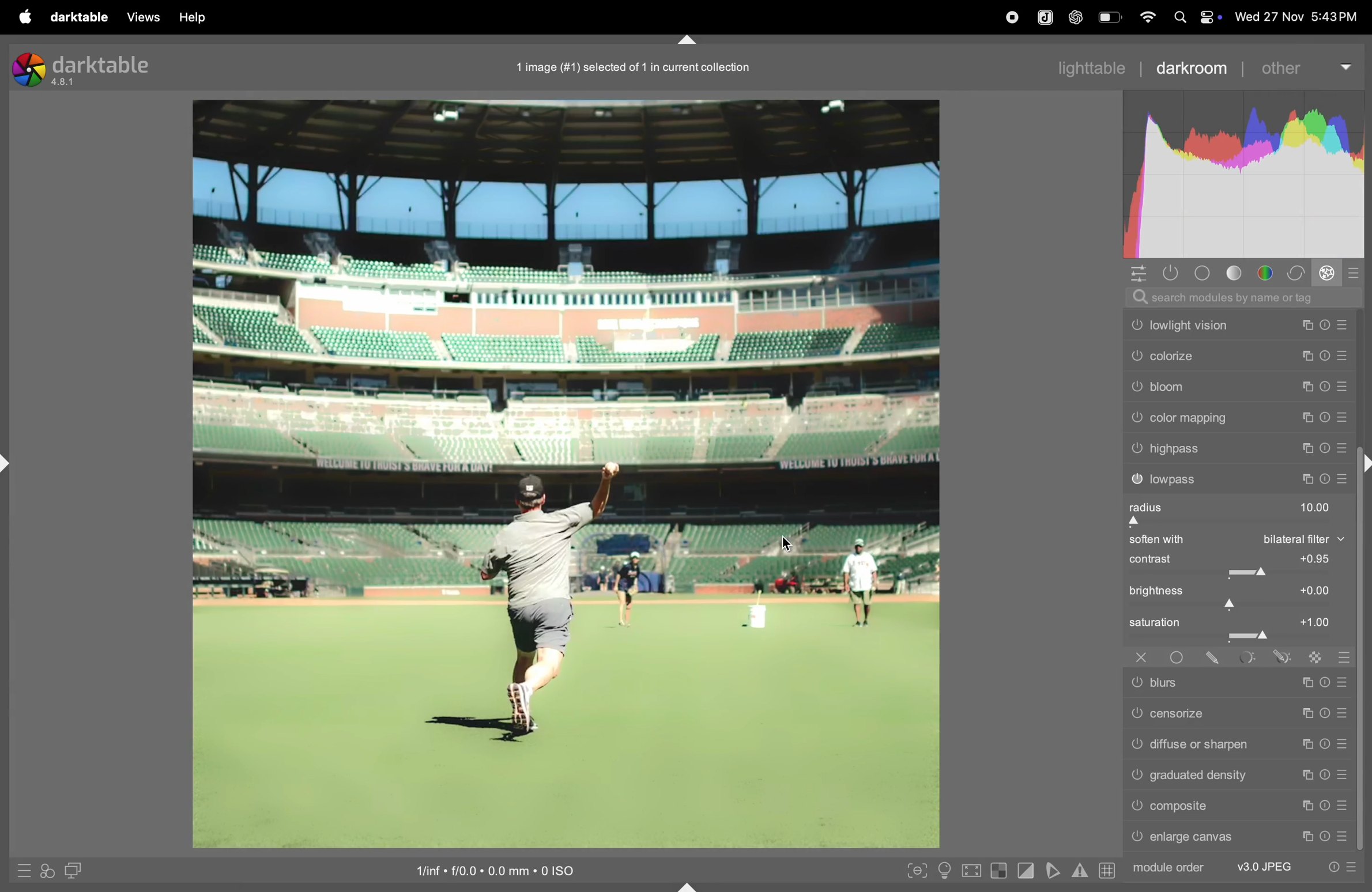 The height and width of the screenshot is (892, 1372). I want to click on presets, so click(1355, 273).